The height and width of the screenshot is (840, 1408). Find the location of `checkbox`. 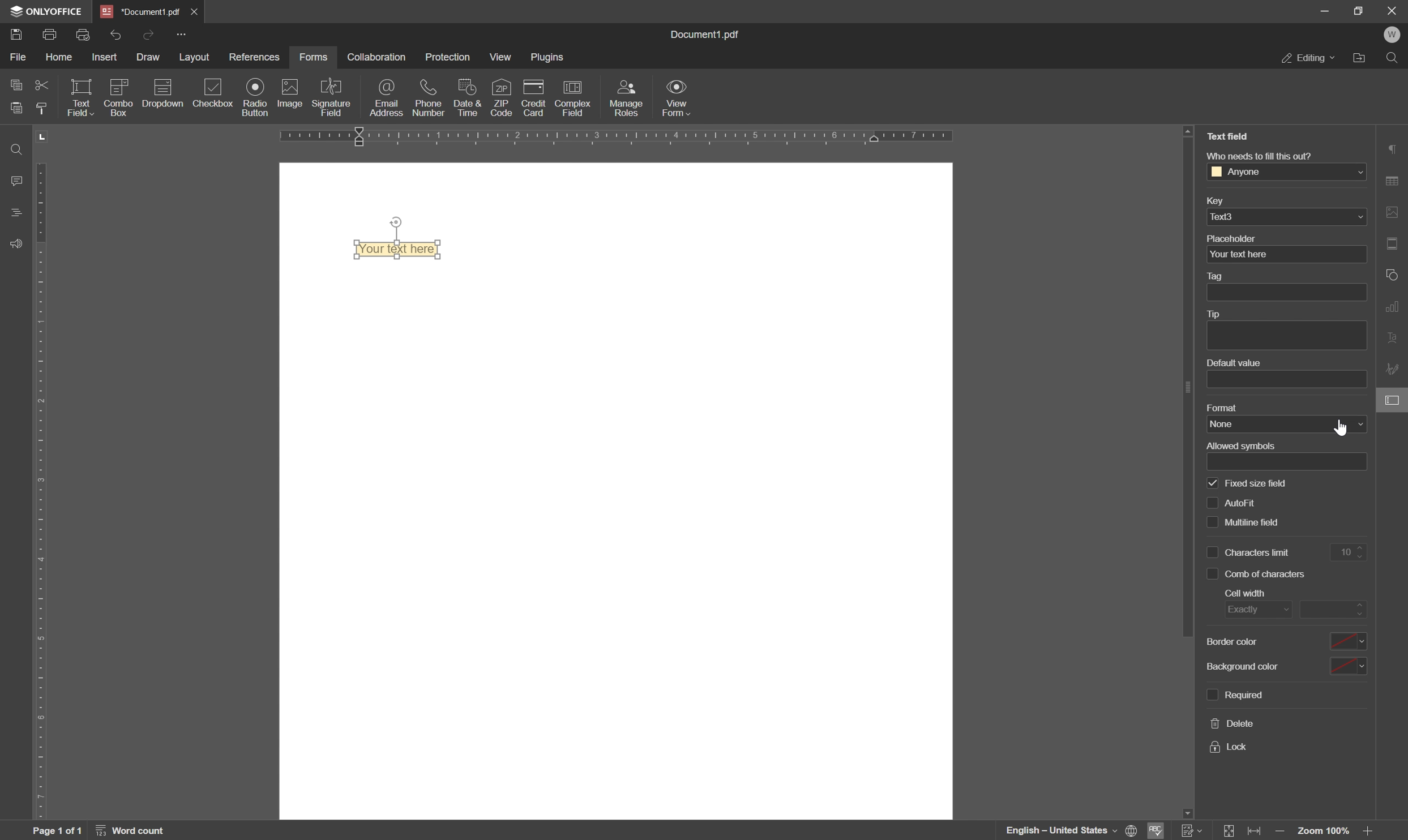

checkbox is located at coordinates (1208, 695).